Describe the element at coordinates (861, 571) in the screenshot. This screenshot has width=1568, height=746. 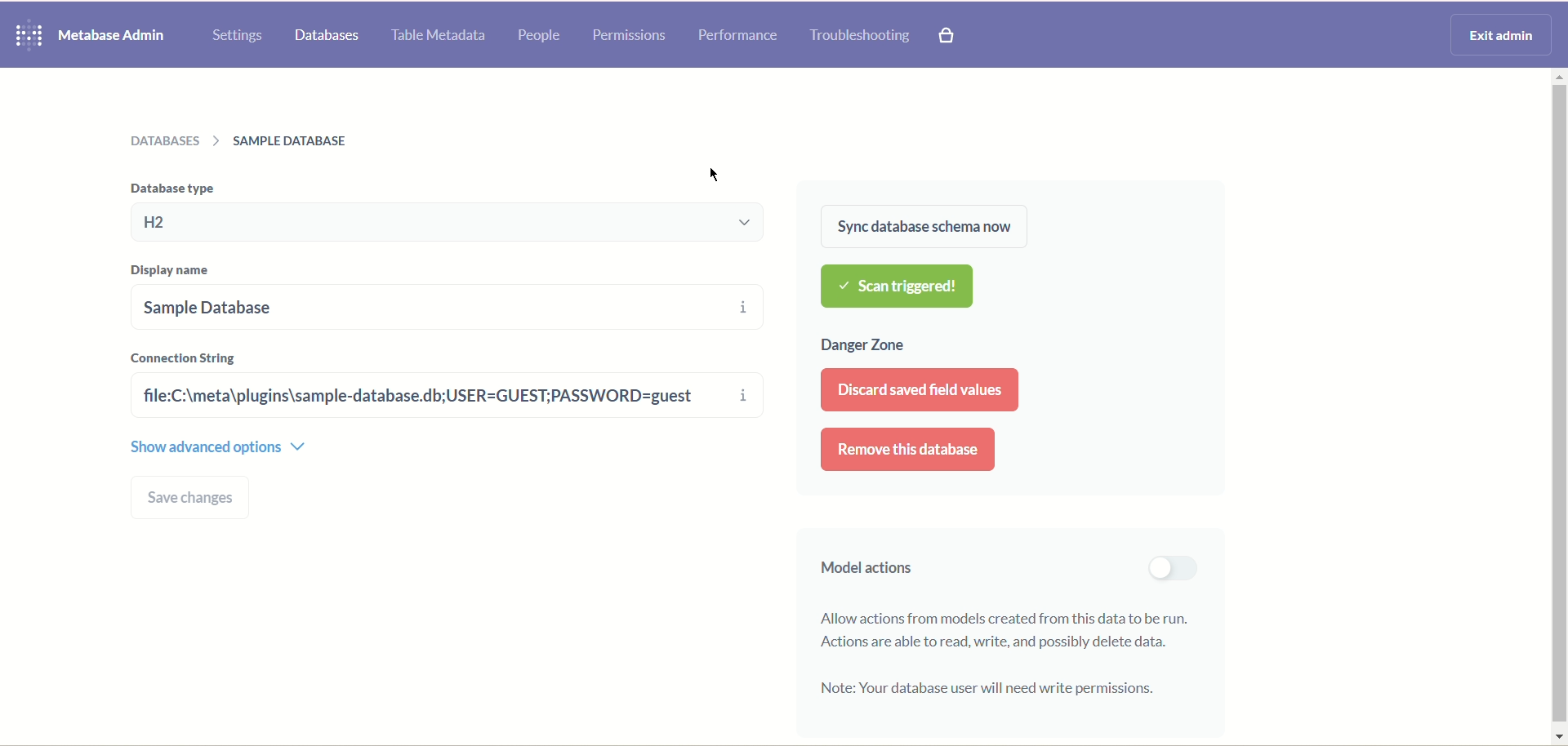
I see `model actions` at that location.